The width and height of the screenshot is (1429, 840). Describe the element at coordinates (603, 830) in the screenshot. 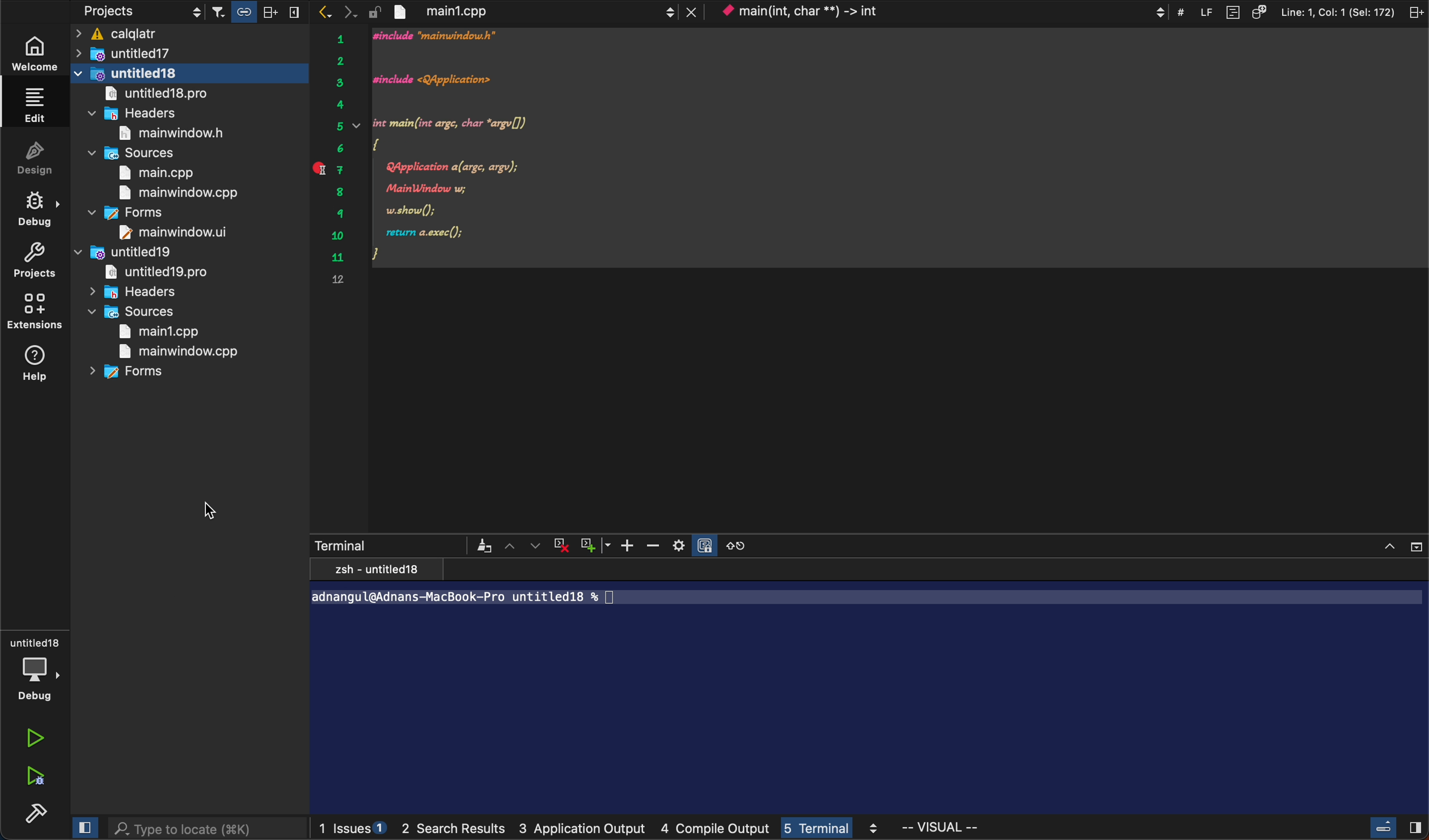

I see `logs` at that location.